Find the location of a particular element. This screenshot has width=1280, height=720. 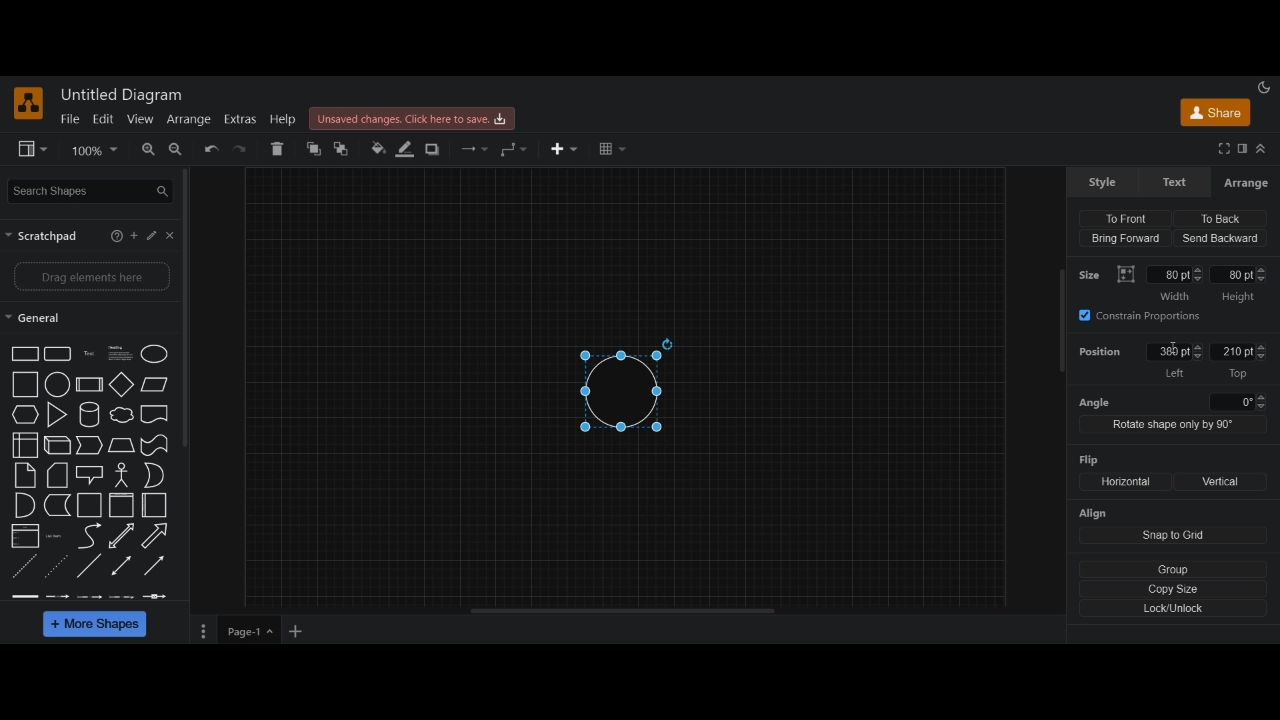

vertical is located at coordinates (1222, 482).